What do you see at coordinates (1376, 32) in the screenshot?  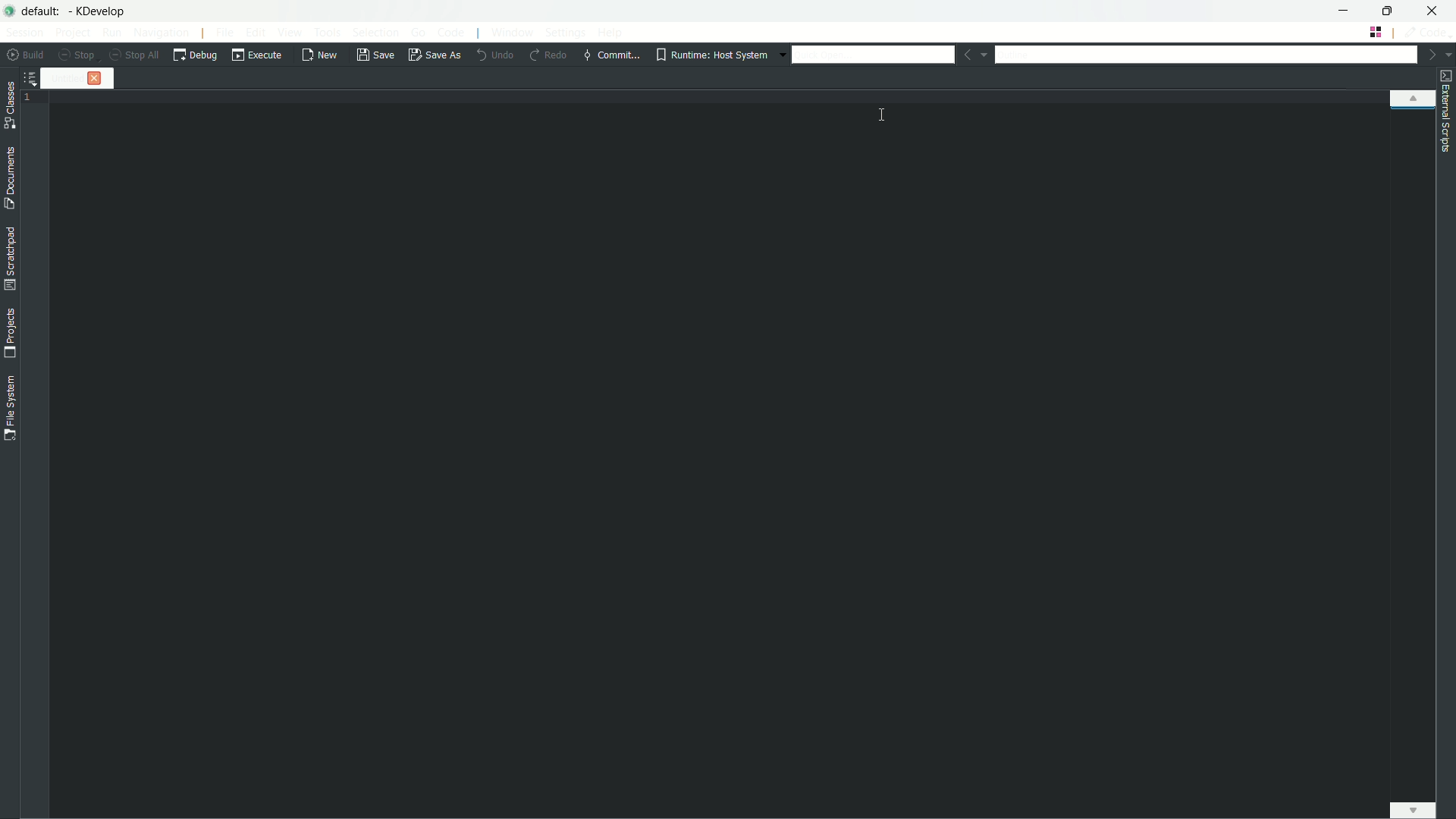 I see `change tab layout` at bounding box center [1376, 32].